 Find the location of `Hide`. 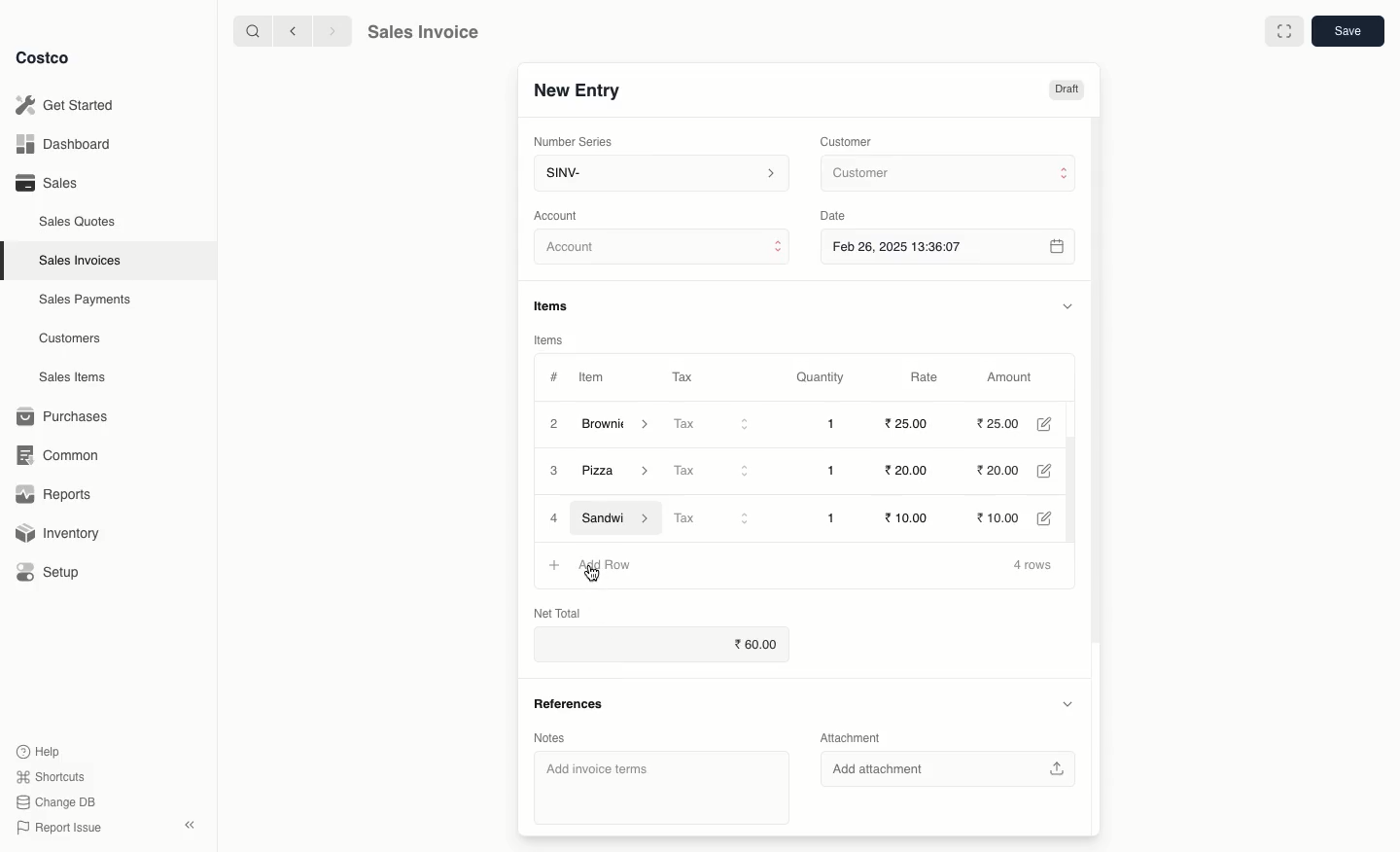

Hide is located at coordinates (1067, 704).